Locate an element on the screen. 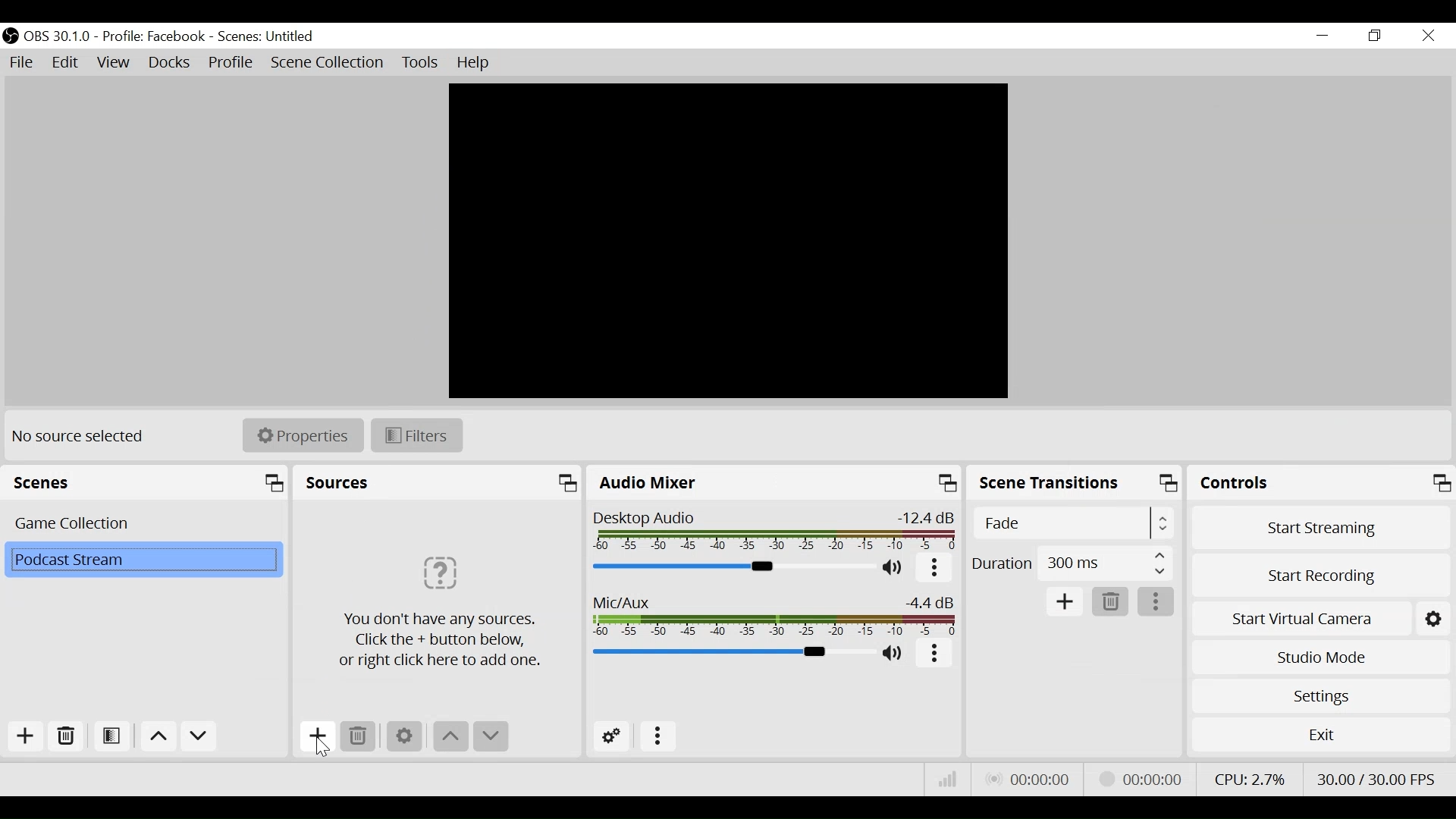 The height and width of the screenshot is (819, 1456). Click the + button below or right click here to add one is located at coordinates (438, 603).